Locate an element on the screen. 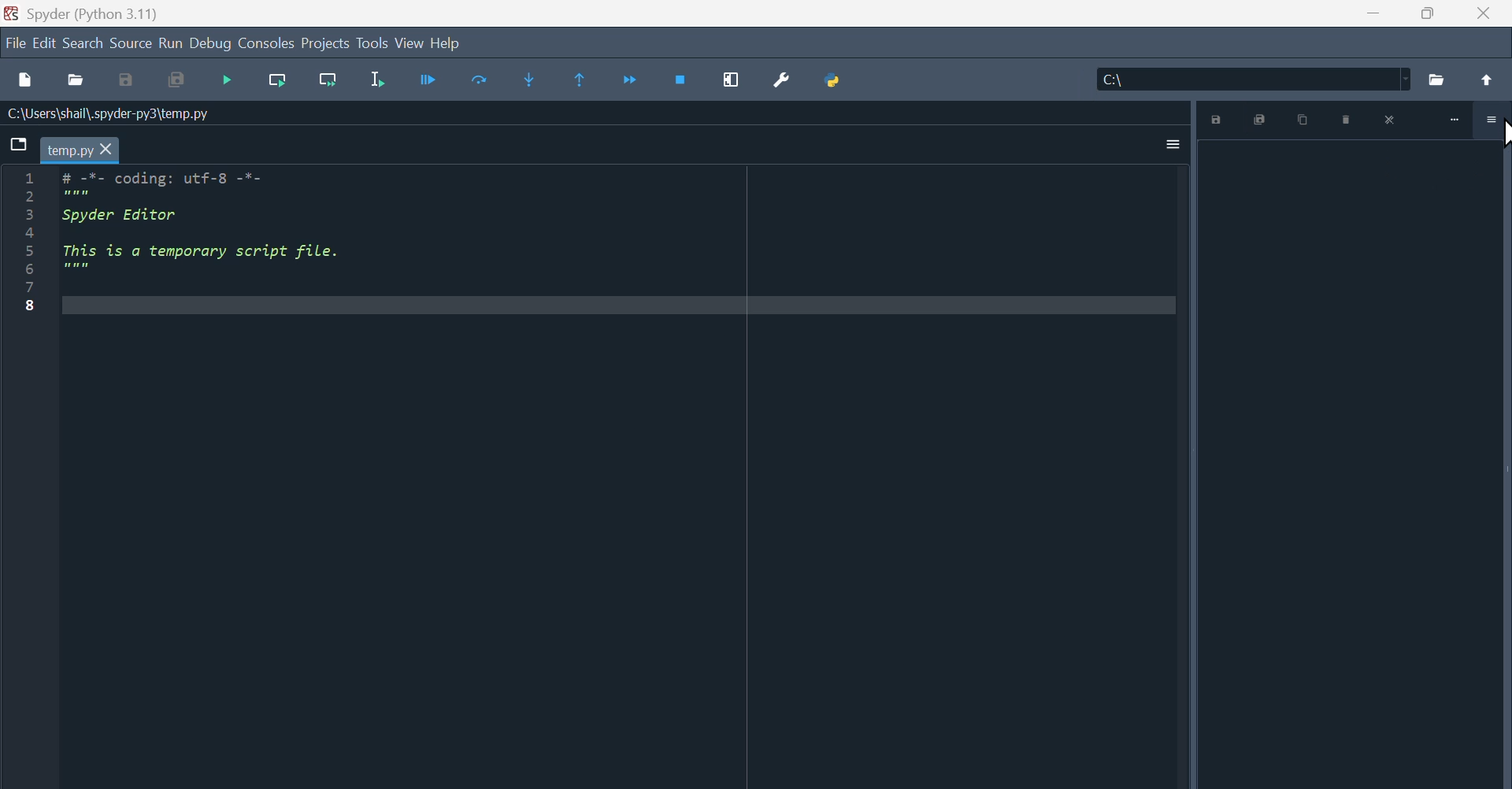  Consoles is located at coordinates (268, 43).